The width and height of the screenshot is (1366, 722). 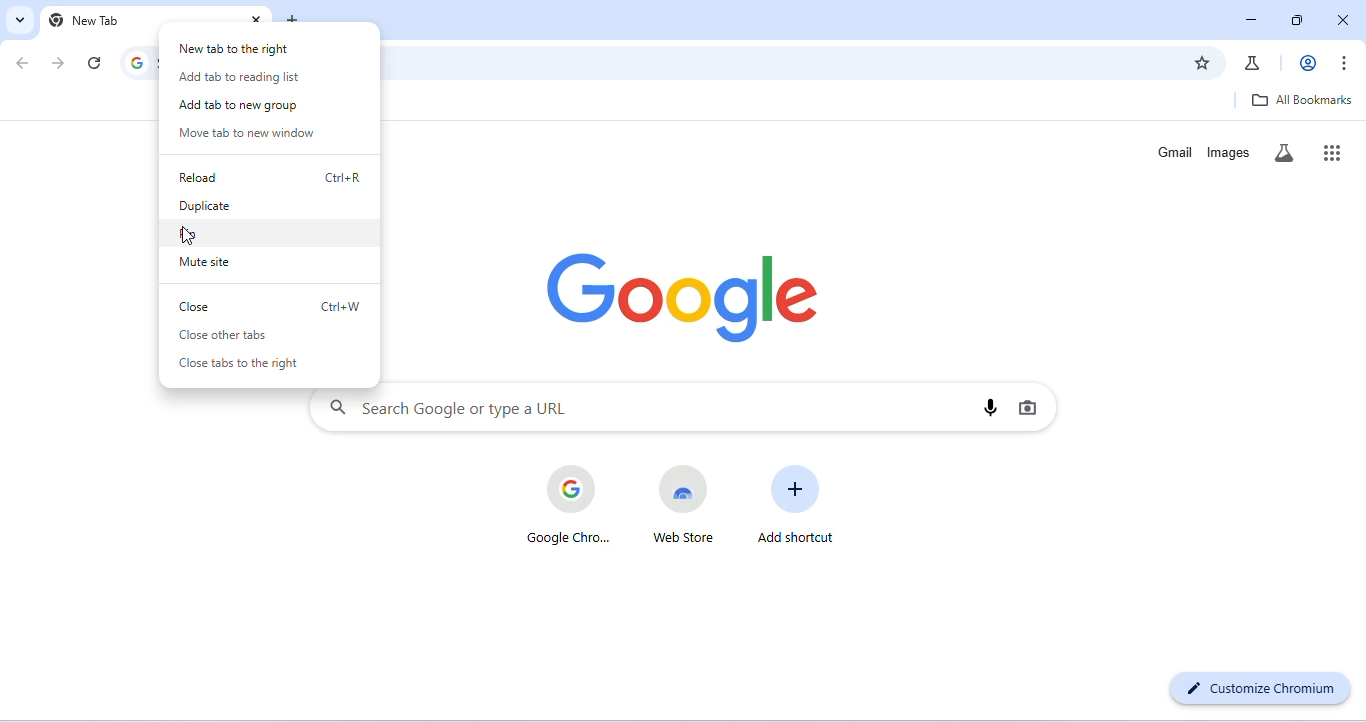 What do you see at coordinates (1228, 151) in the screenshot?
I see `images` at bounding box center [1228, 151].